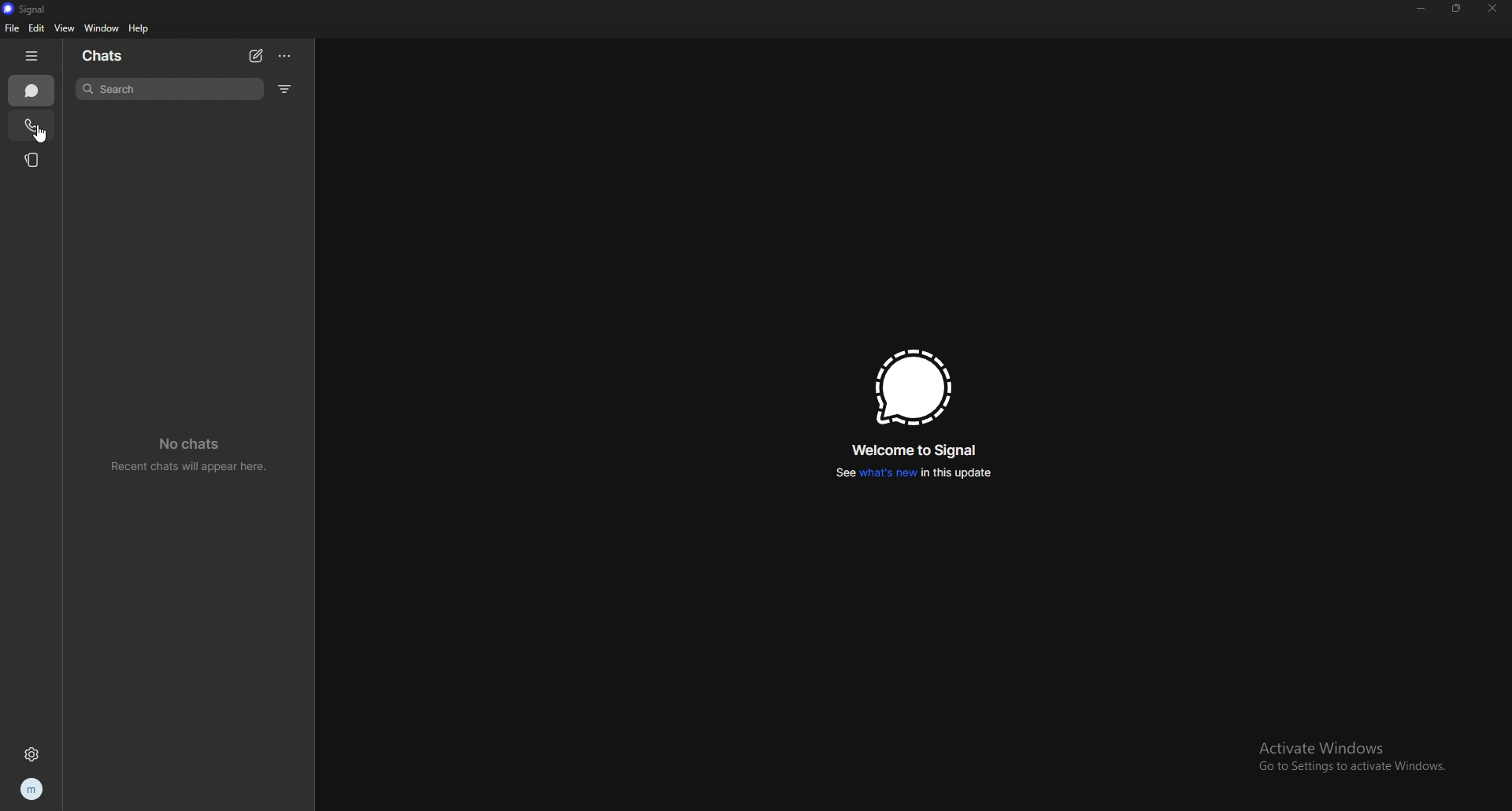 This screenshot has height=811, width=1512. I want to click on welcome, so click(915, 449).